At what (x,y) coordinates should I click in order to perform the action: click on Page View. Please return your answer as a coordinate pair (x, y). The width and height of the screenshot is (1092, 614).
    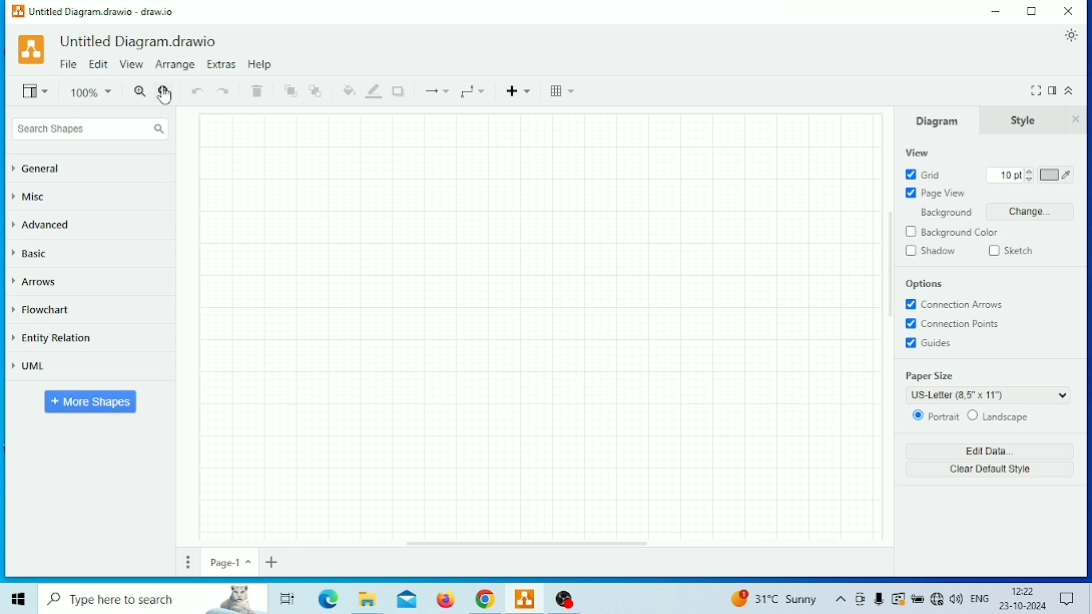
    Looking at the image, I should click on (936, 193).